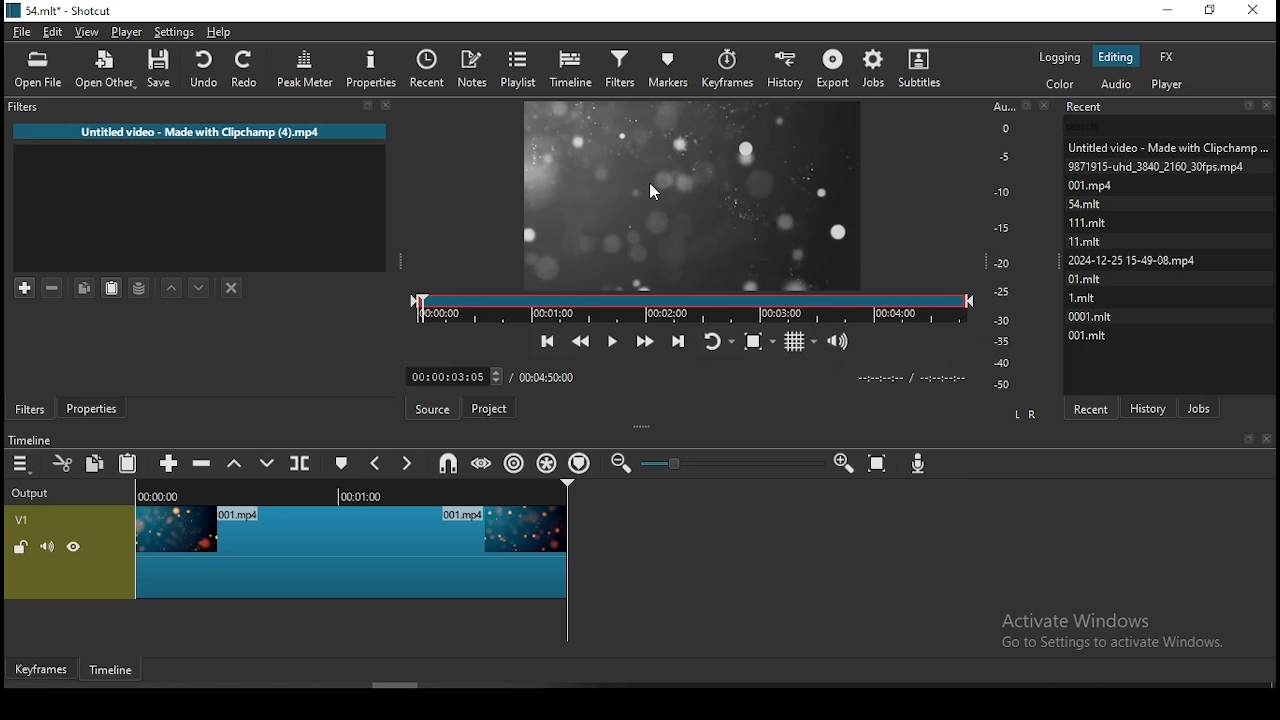  Describe the element at coordinates (159, 70) in the screenshot. I see `save` at that location.